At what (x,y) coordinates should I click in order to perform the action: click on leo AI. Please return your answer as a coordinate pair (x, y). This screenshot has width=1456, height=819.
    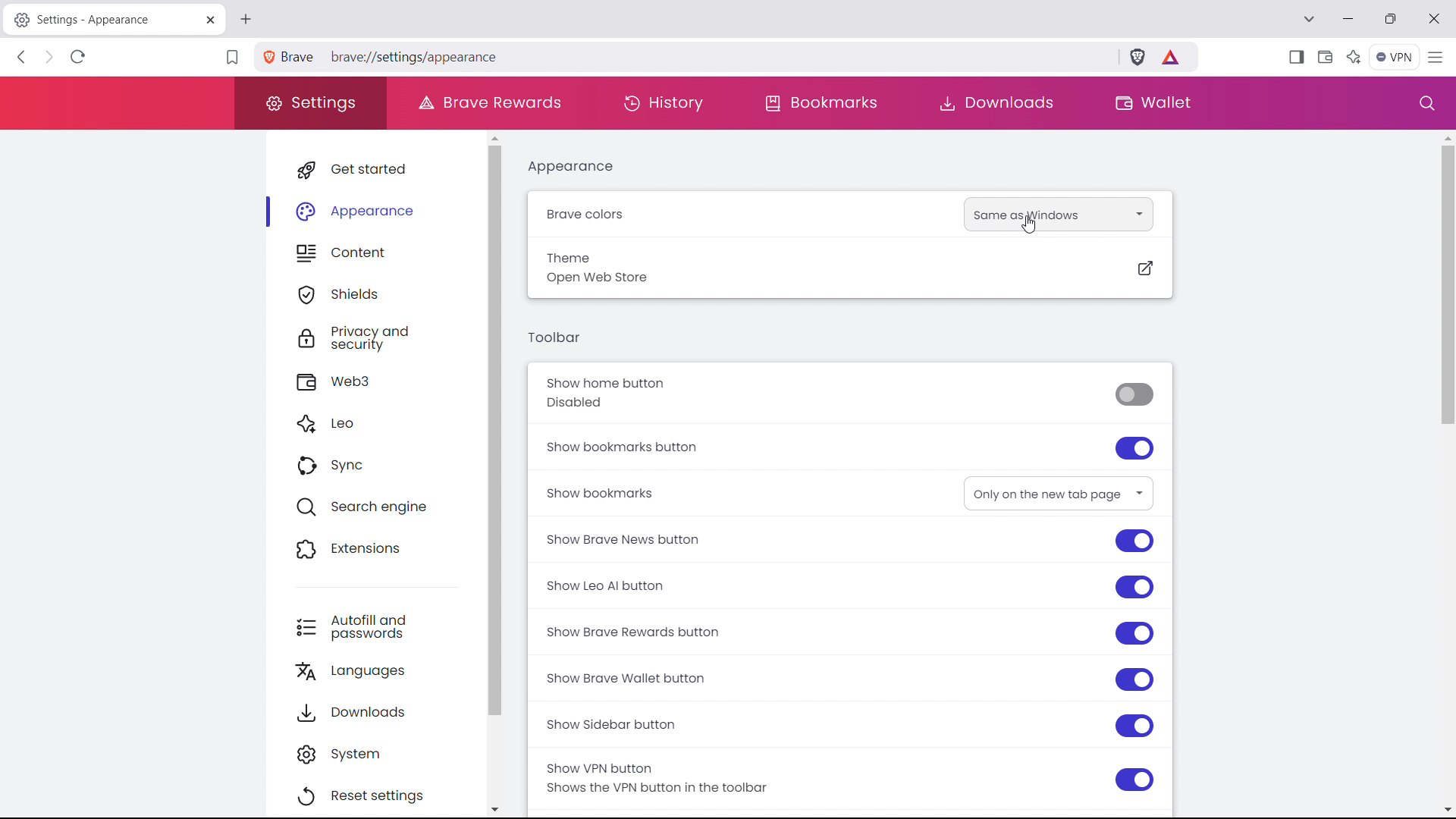
    Looking at the image, I should click on (1354, 55).